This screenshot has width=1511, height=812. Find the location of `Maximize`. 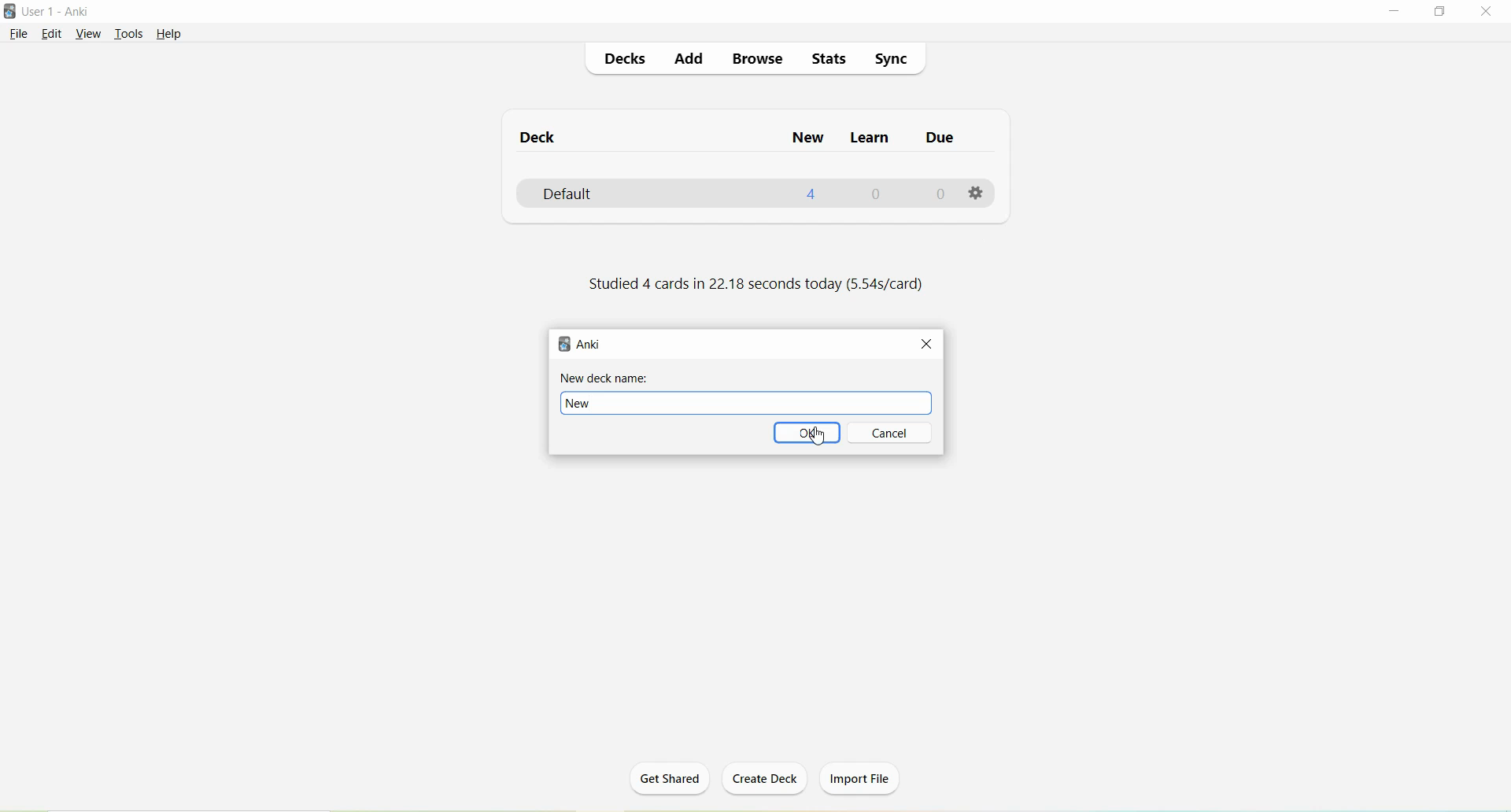

Maximize is located at coordinates (1446, 12).